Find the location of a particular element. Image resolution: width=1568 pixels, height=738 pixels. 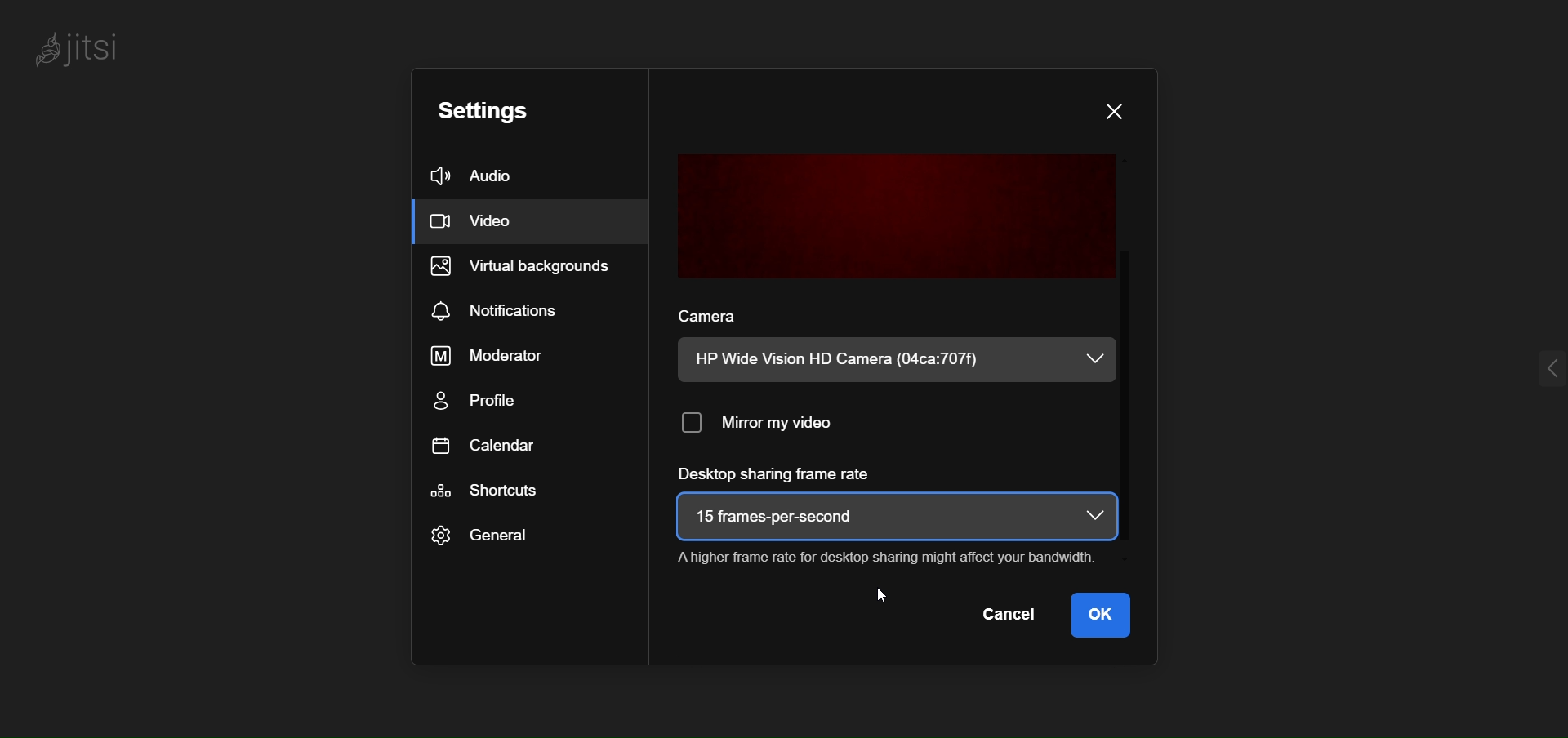

scroll bar is located at coordinates (1133, 340).